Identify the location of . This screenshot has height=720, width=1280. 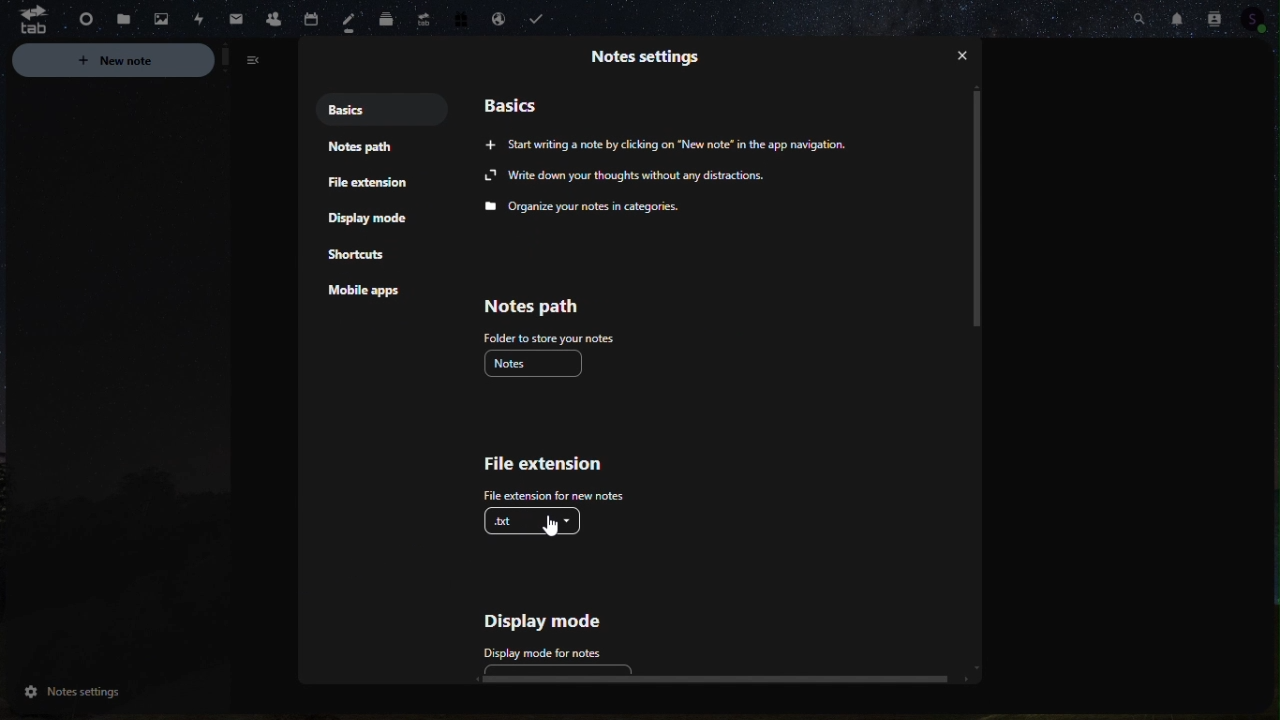
(655, 62).